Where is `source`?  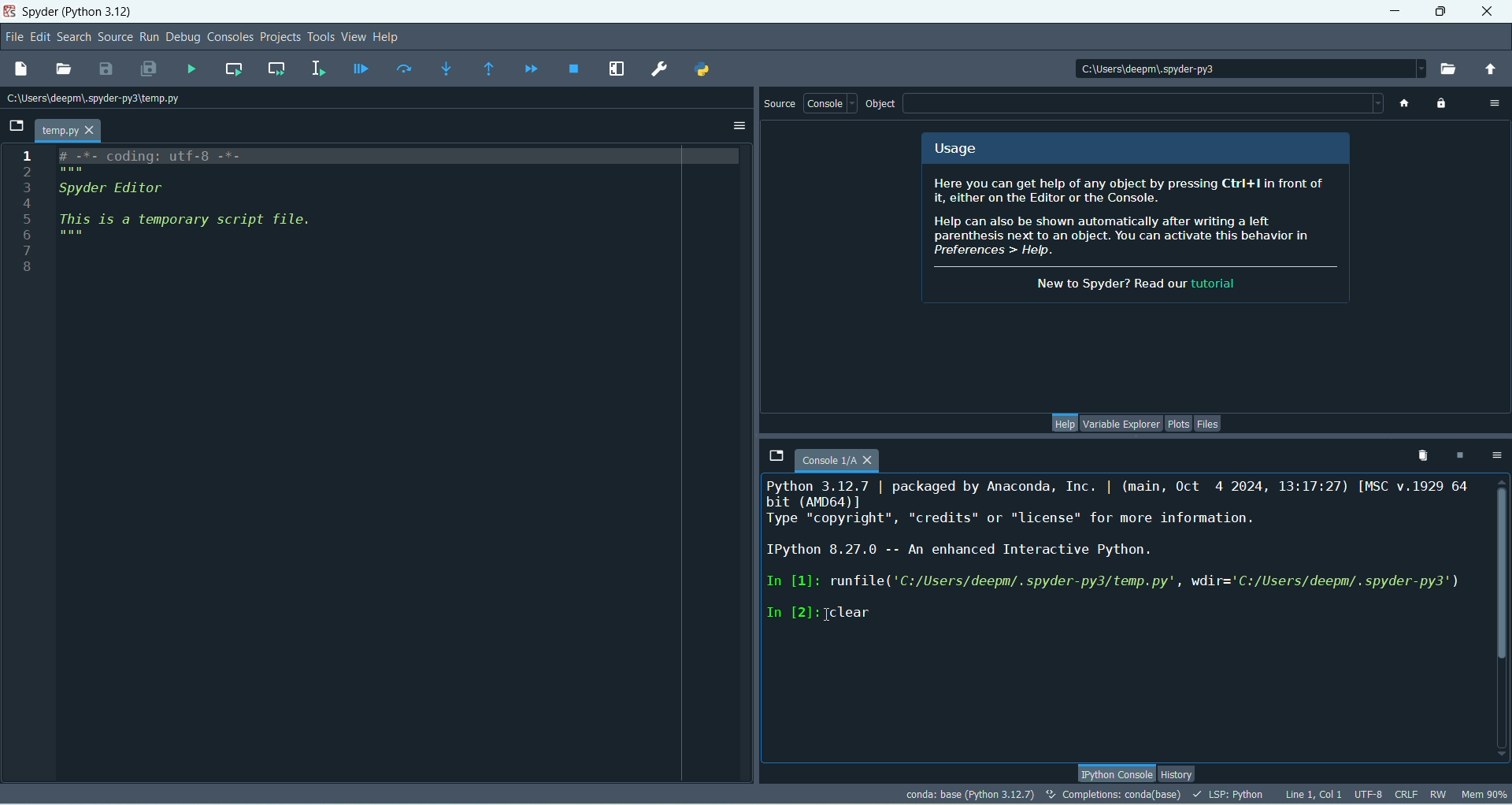 source is located at coordinates (781, 105).